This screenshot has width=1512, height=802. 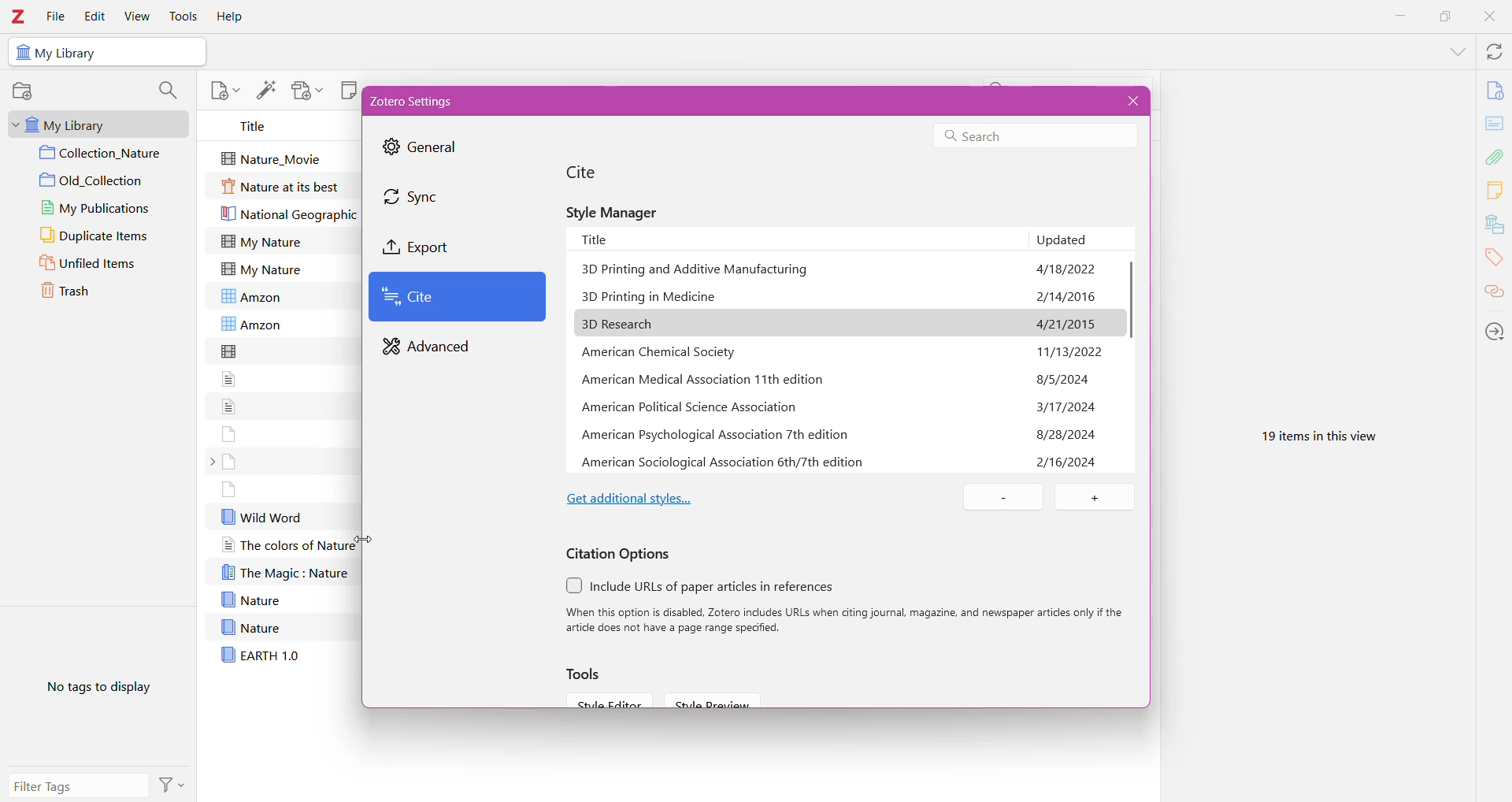 What do you see at coordinates (306, 91) in the screenshot?
I see `Add Attachment` at bounding box center [306, 91].